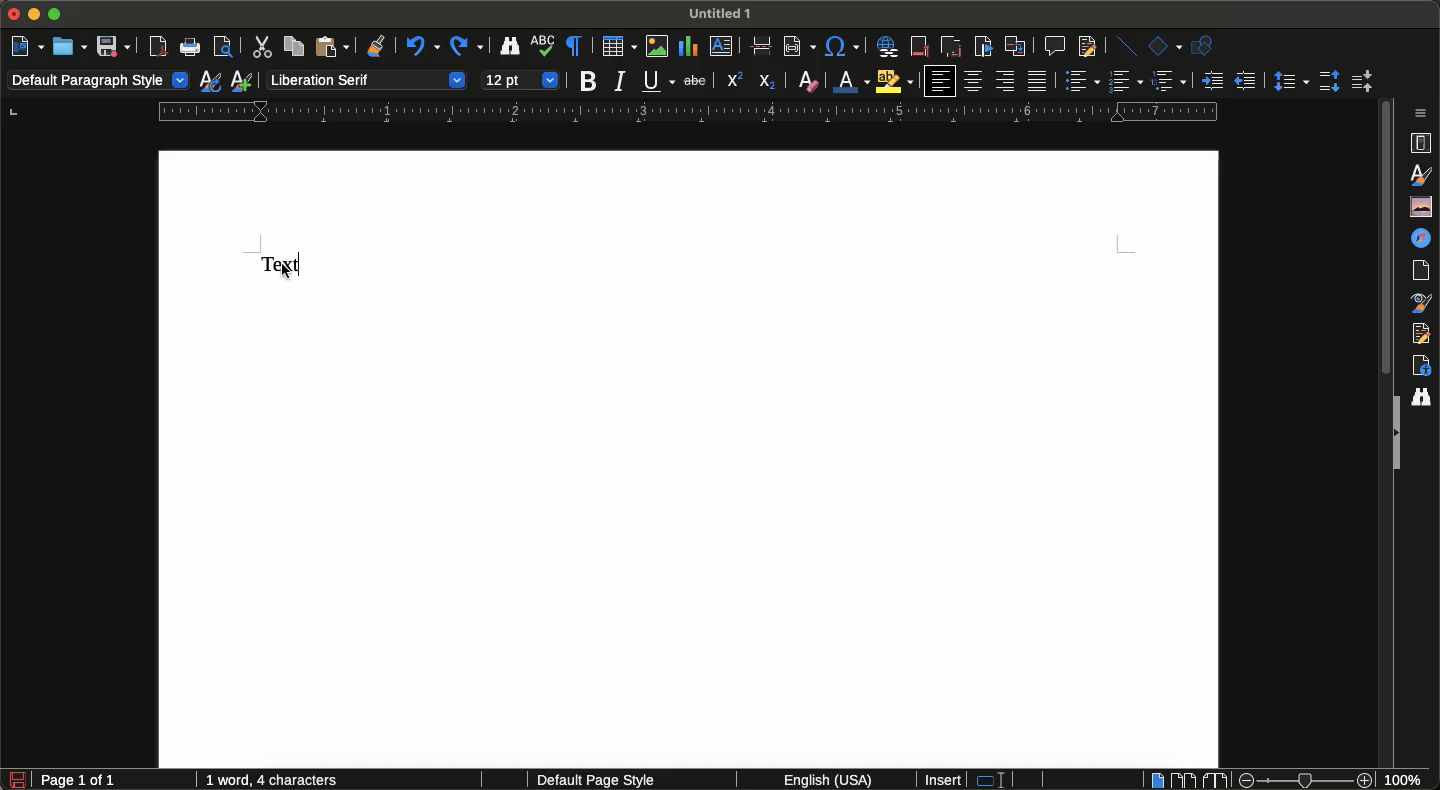  What do you see at coordinates (57, 14) in the screenshot?
I see `Maximize` at bounding box center [57, 14].